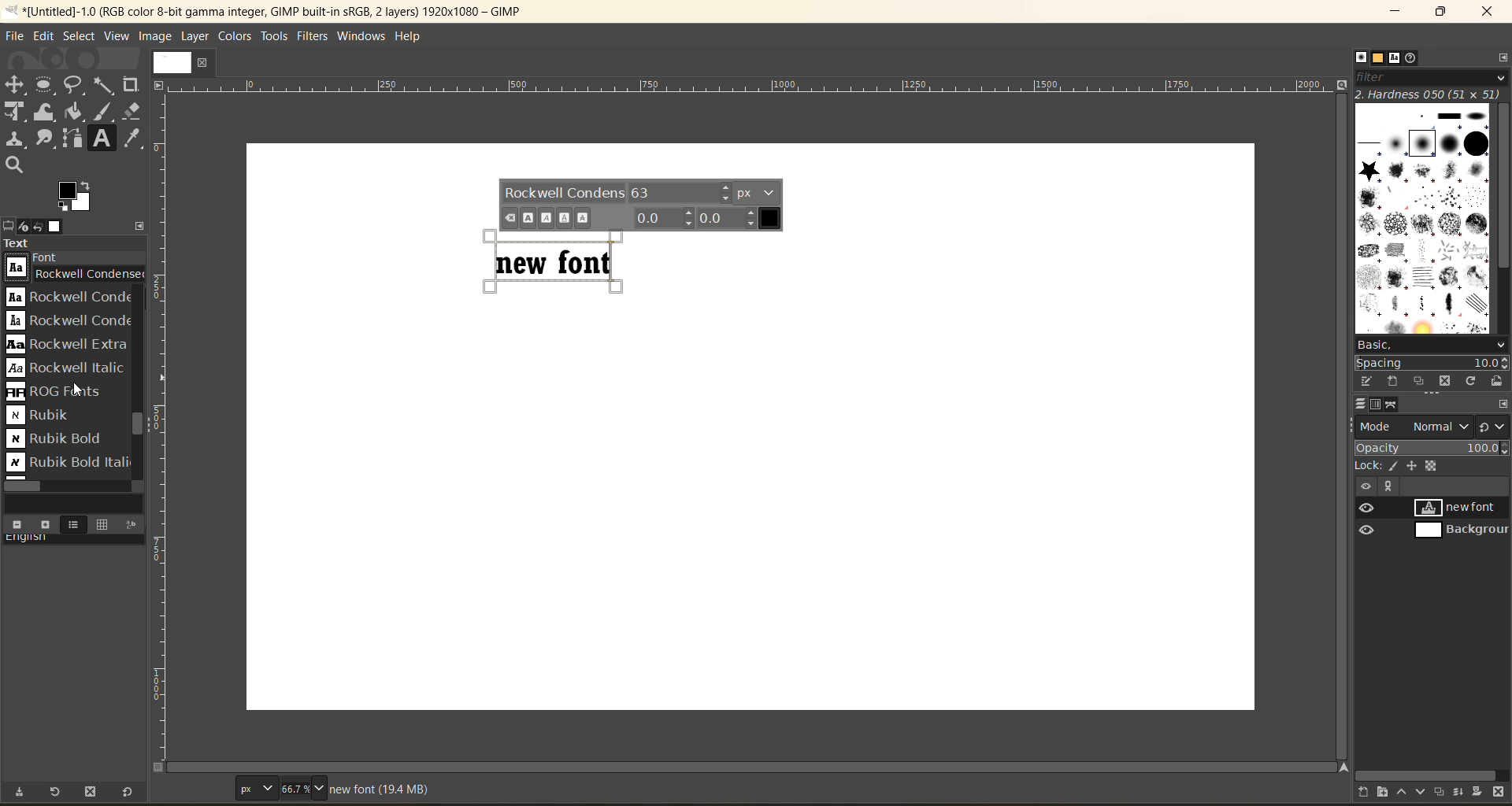 The image size is (1512, 806). Describe the element at coordinates (22, 793) in the screenshot. I see `save tool preset` at that location.